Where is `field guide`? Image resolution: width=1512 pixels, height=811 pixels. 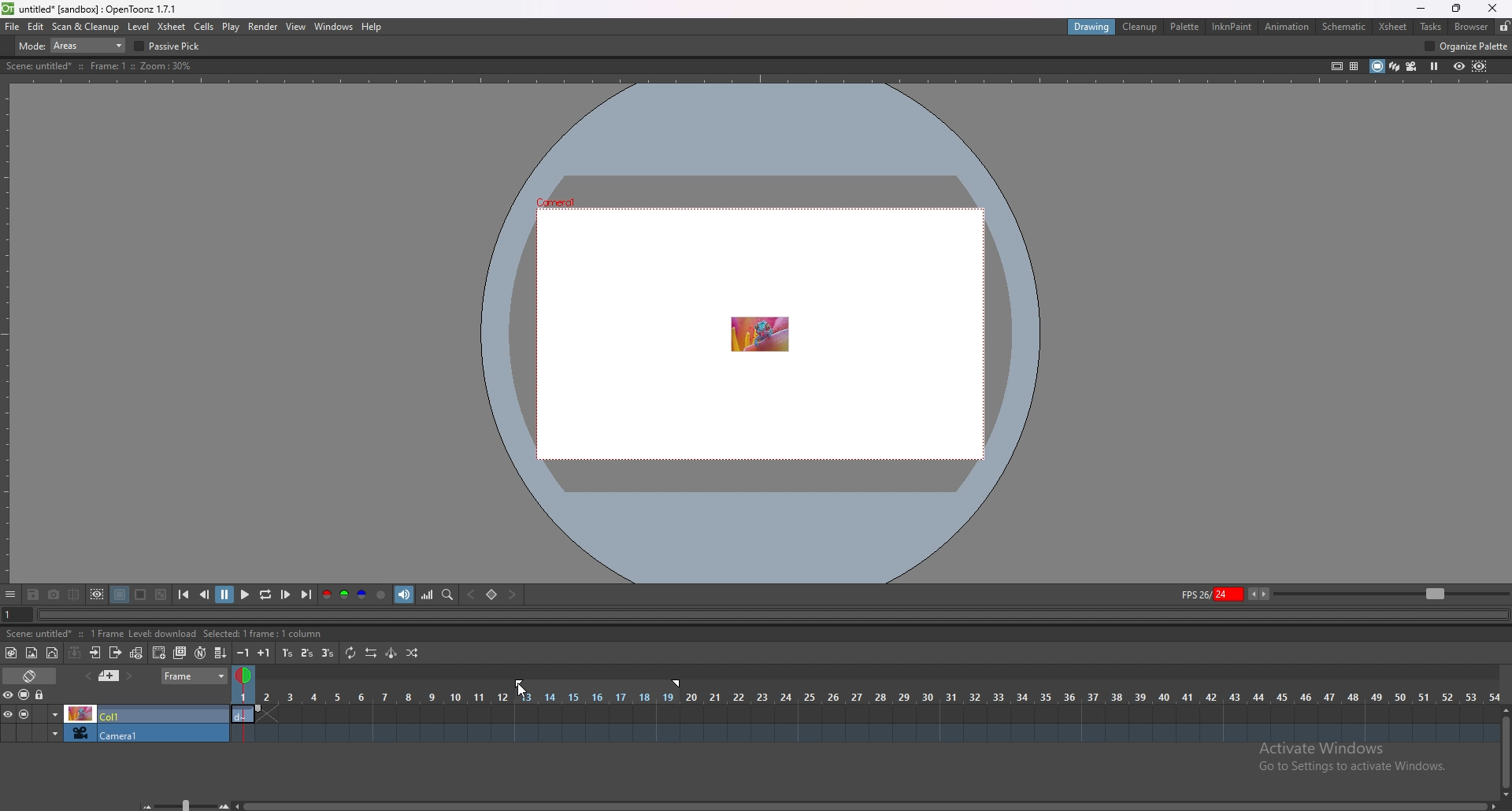
field guide is located at coordinates (1354, 67).